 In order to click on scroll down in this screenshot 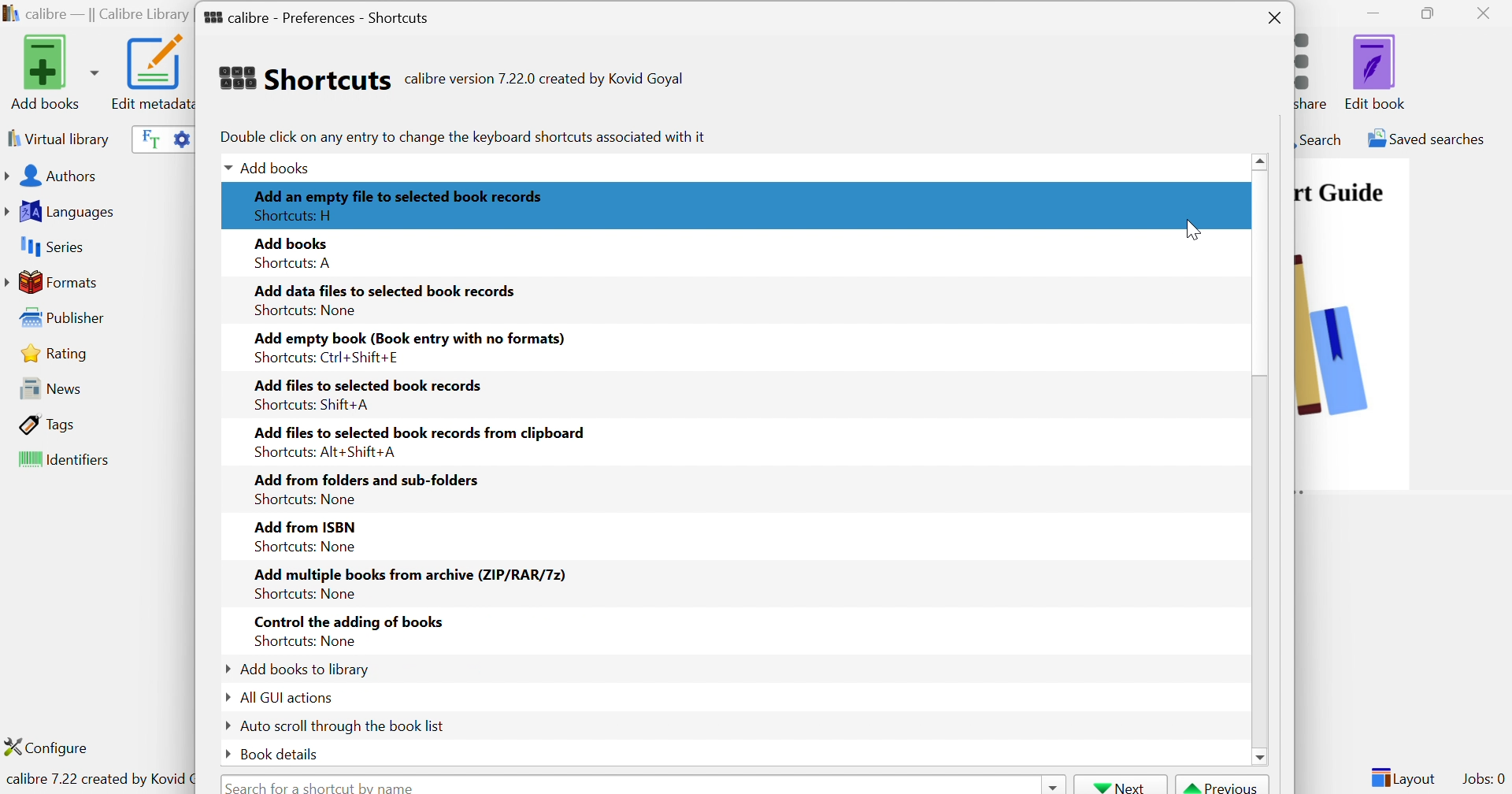, I will do `click(1265, 759)`.